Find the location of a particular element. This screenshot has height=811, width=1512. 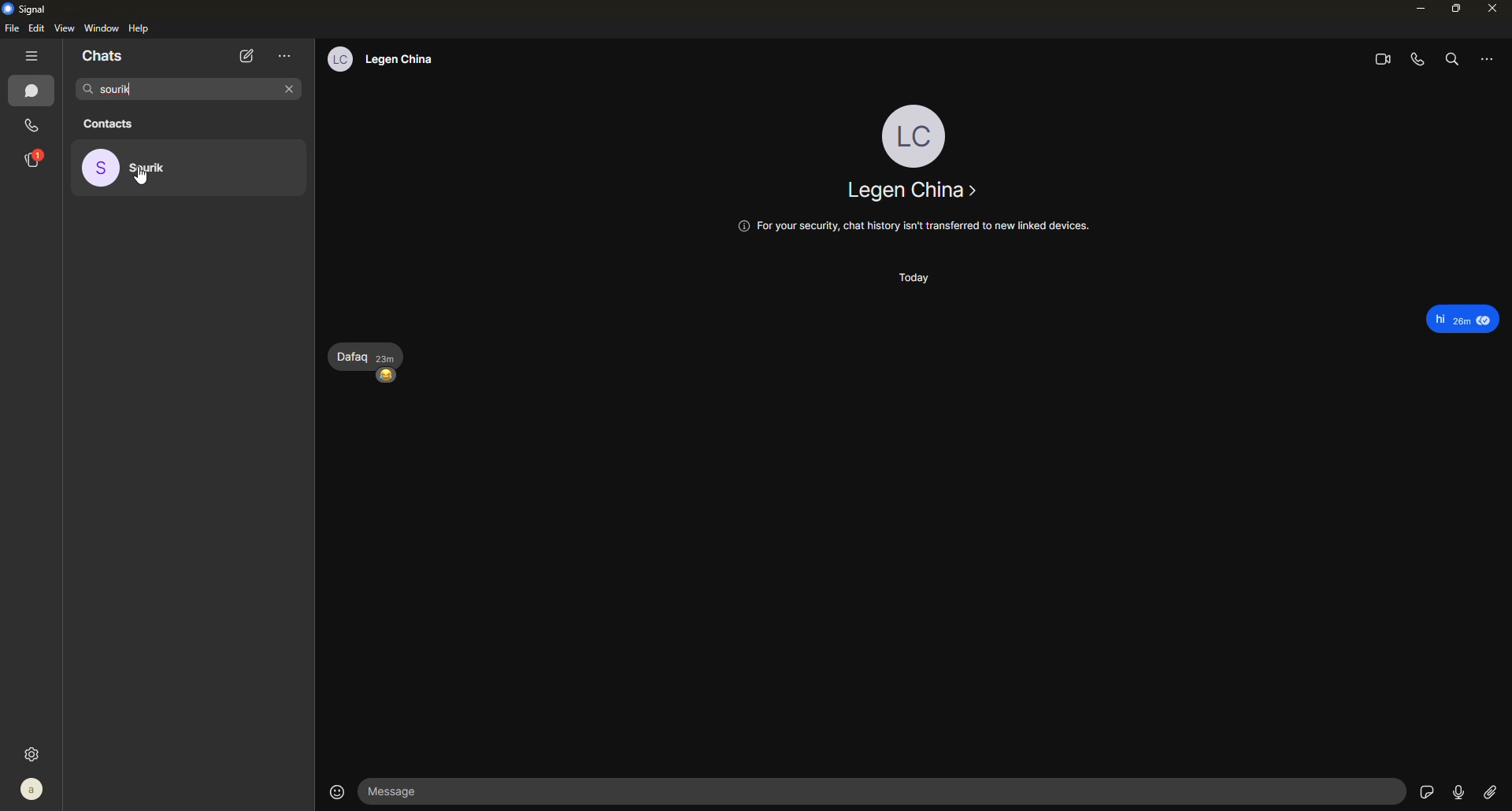

file is located at coordinates (11, 30).